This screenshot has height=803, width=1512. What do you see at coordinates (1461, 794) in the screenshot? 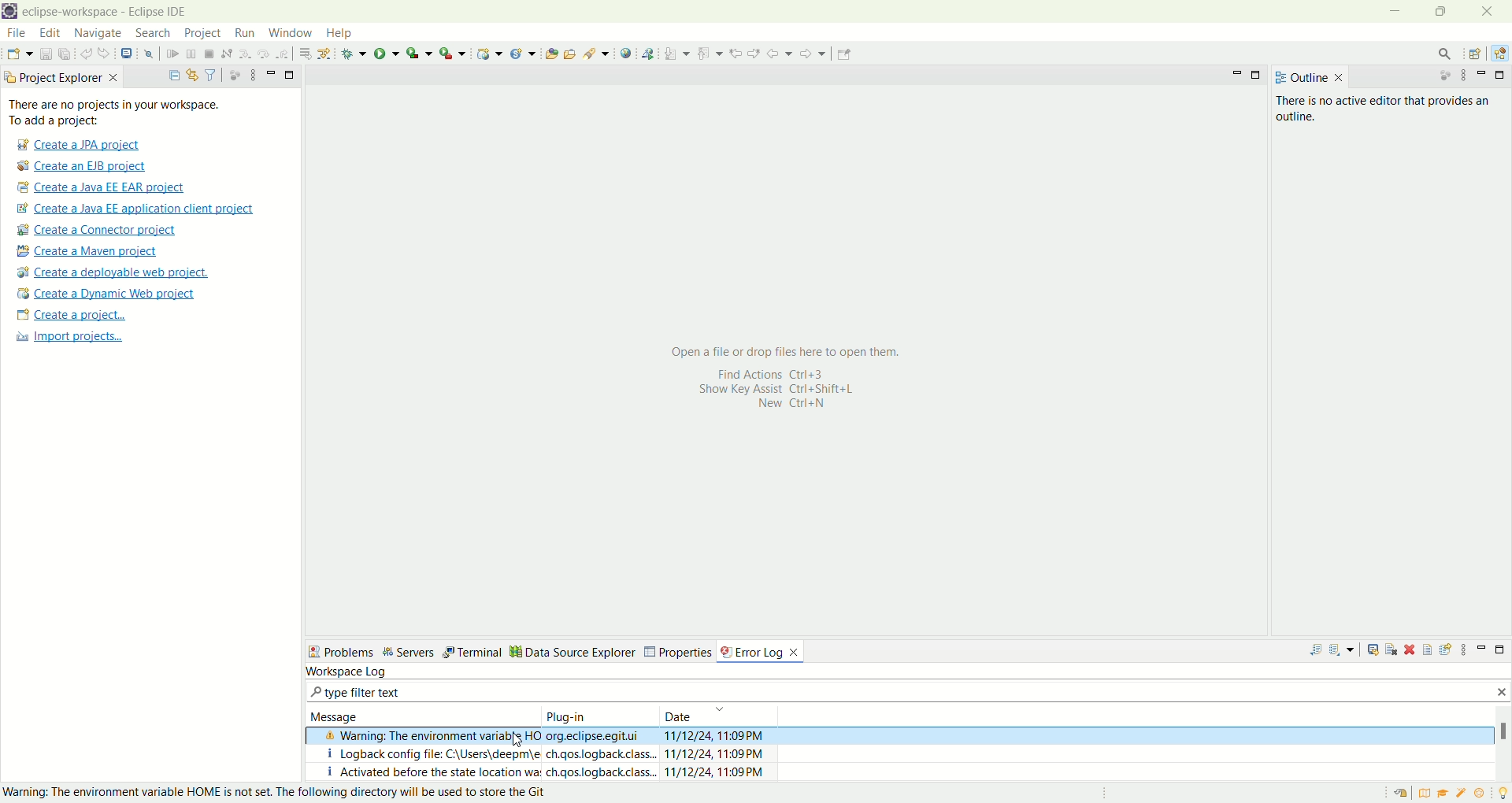
I see `samples` at bounding box center [1461, 794].